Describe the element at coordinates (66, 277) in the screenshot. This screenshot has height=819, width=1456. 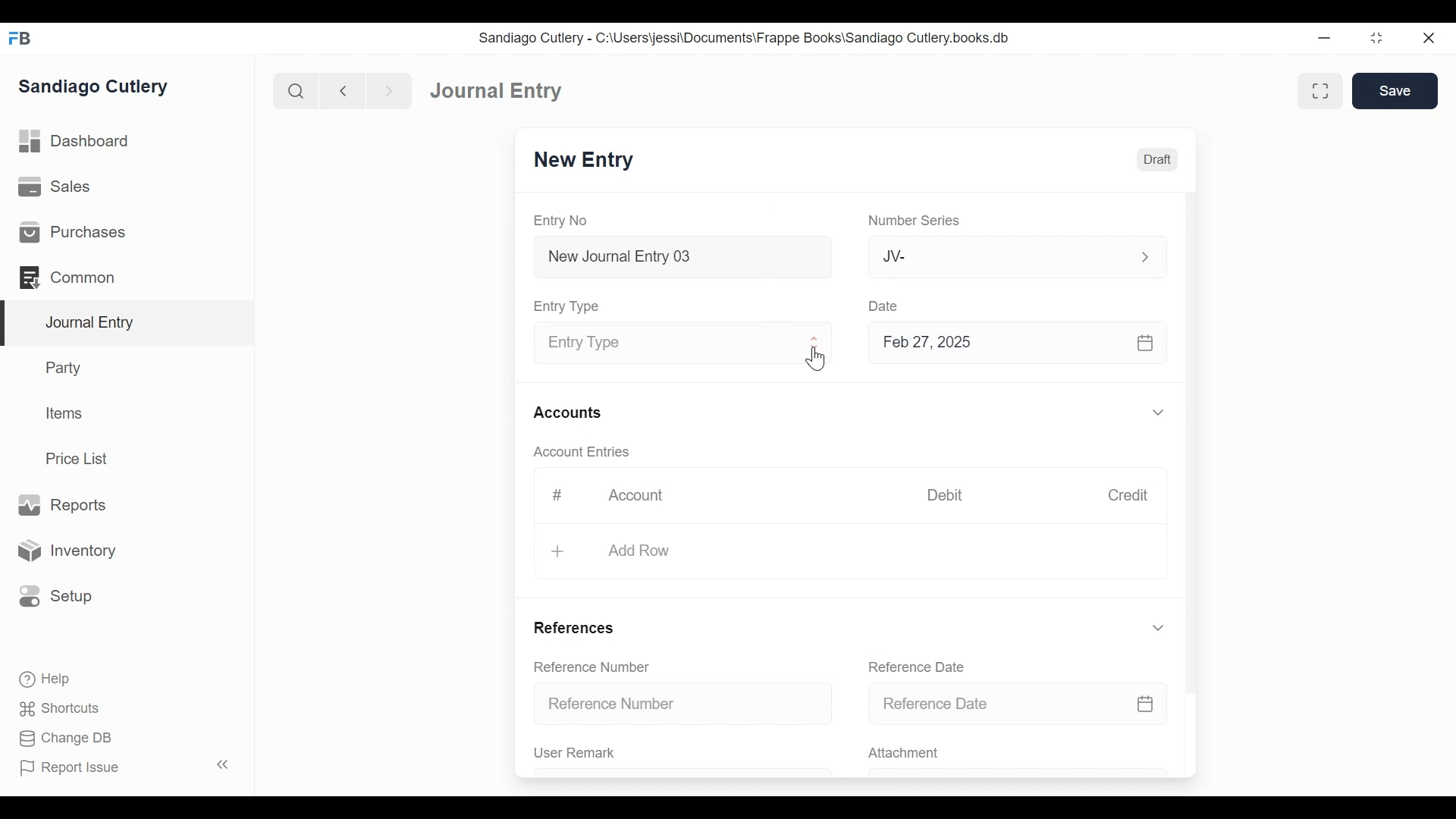
I see `Commons` at that location.